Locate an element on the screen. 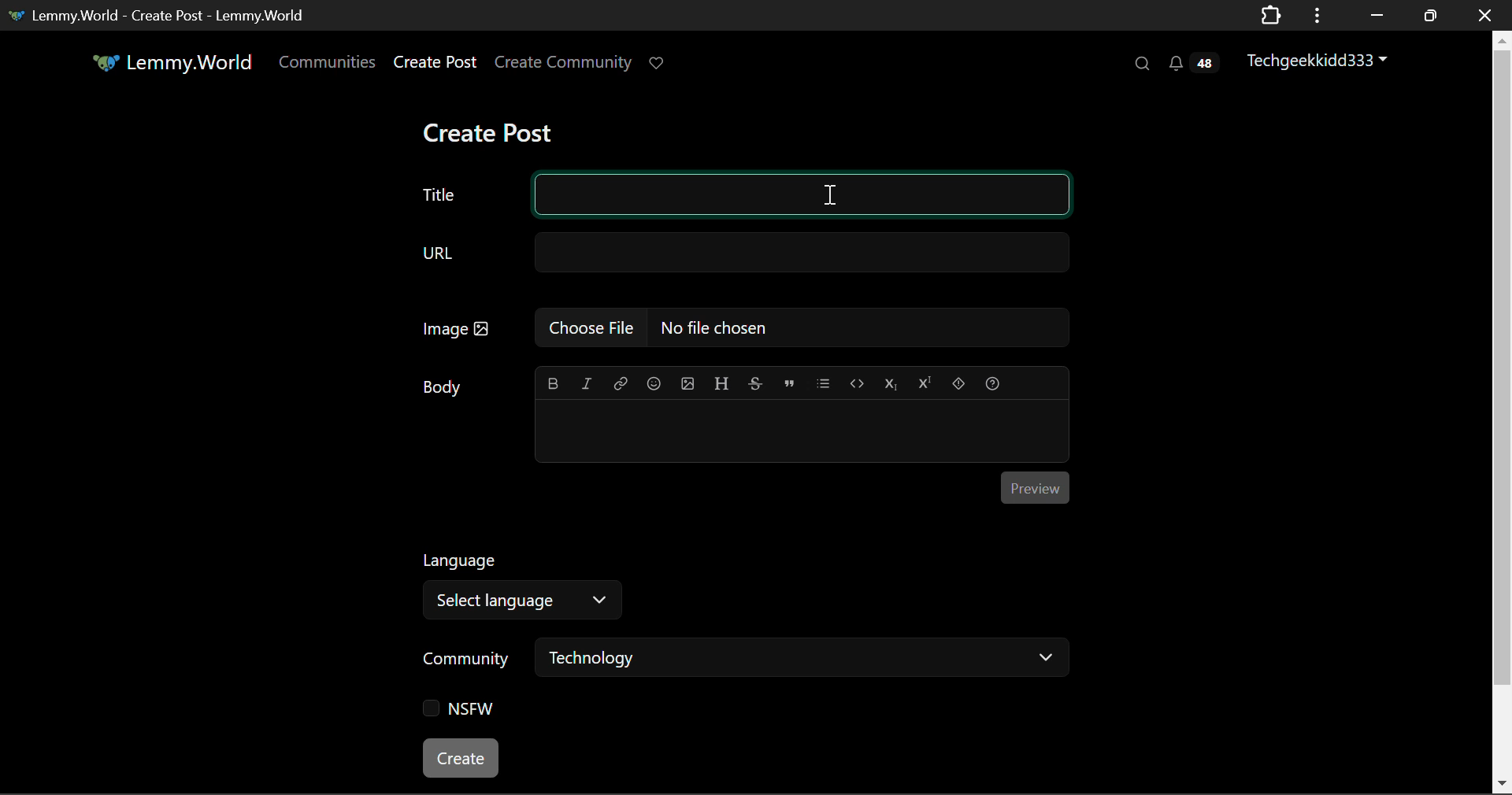 This screenshot has height=795, width=1512. Select Post Language is located at coordinates (516, 582).